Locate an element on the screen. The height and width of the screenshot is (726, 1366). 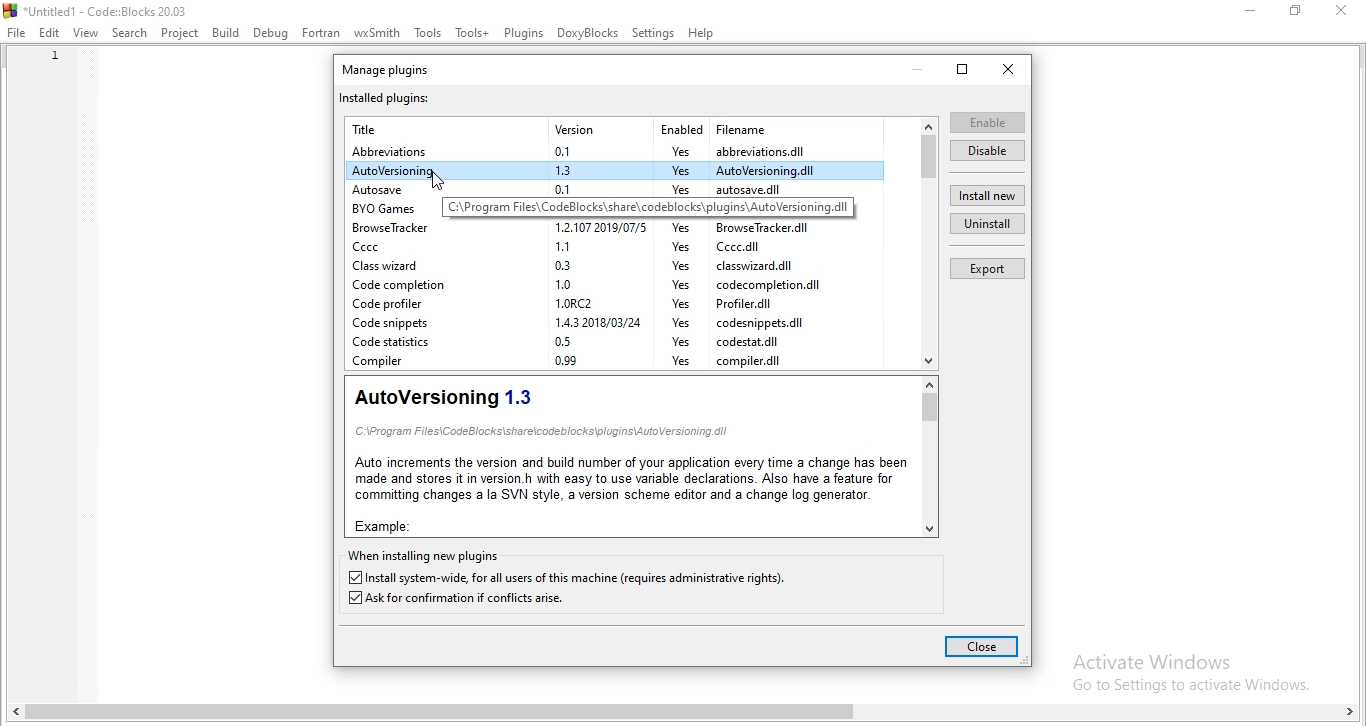
Project is located at coordinates (179, 34).